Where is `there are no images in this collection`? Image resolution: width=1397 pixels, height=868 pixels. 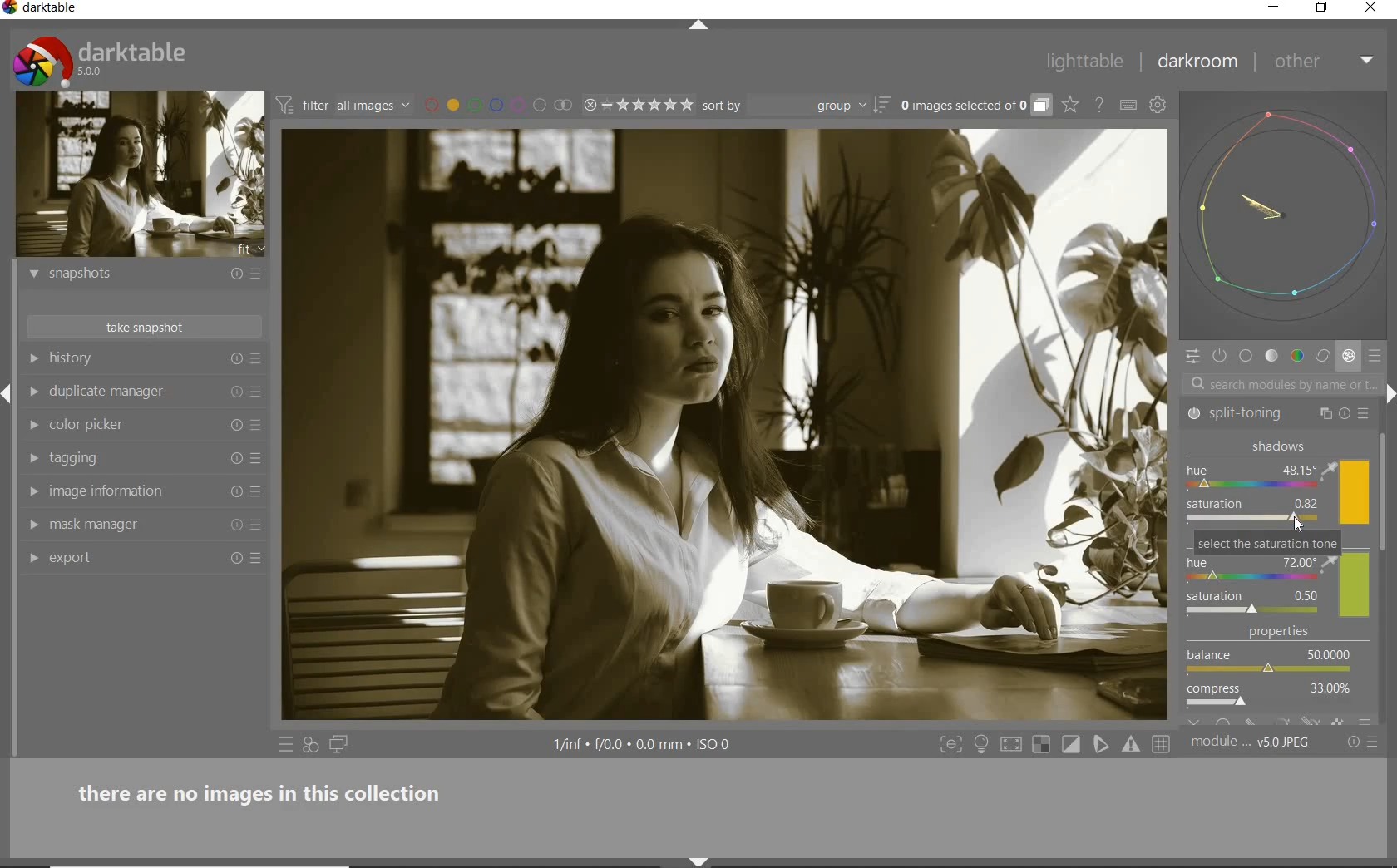
there are no images in this collection is located at coordinates (269, 791).